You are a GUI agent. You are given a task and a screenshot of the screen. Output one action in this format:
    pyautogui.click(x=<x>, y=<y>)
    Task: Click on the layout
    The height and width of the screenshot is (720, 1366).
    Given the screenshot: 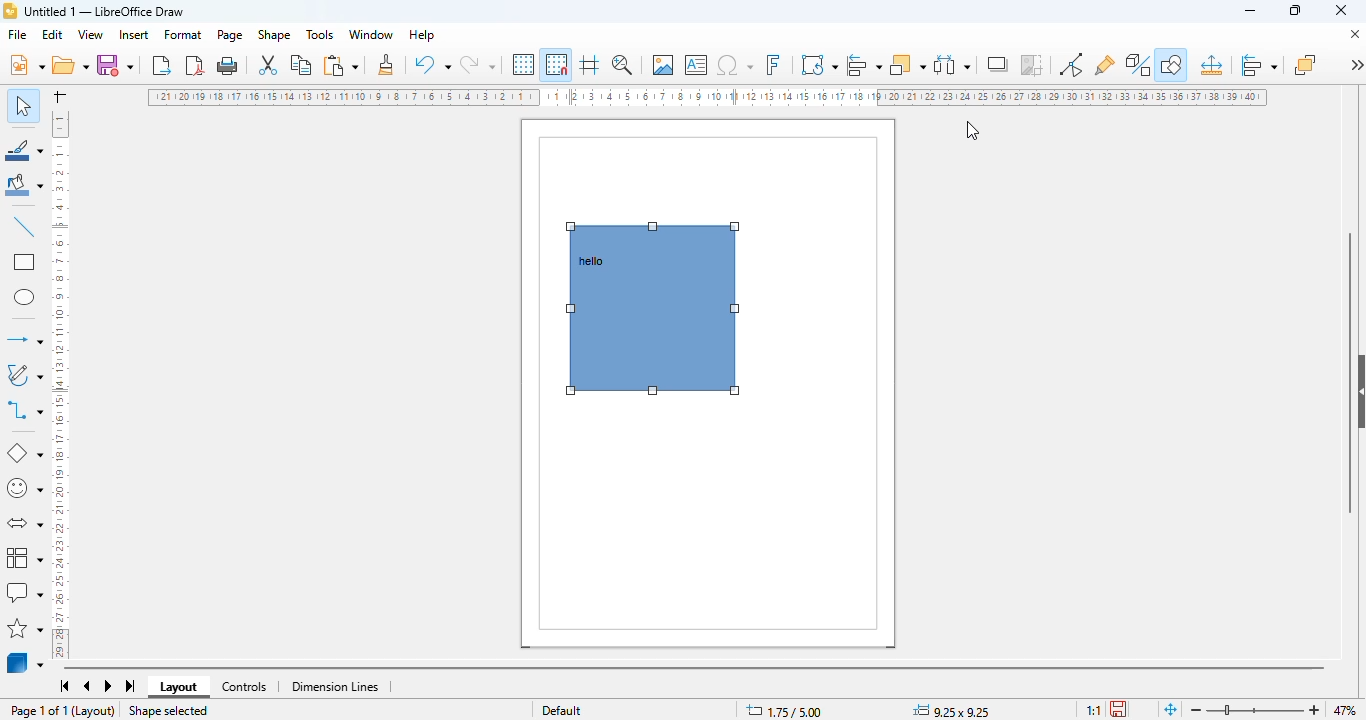 What is the action you would take?
    pyautogui.click(x=179, y=687)
    